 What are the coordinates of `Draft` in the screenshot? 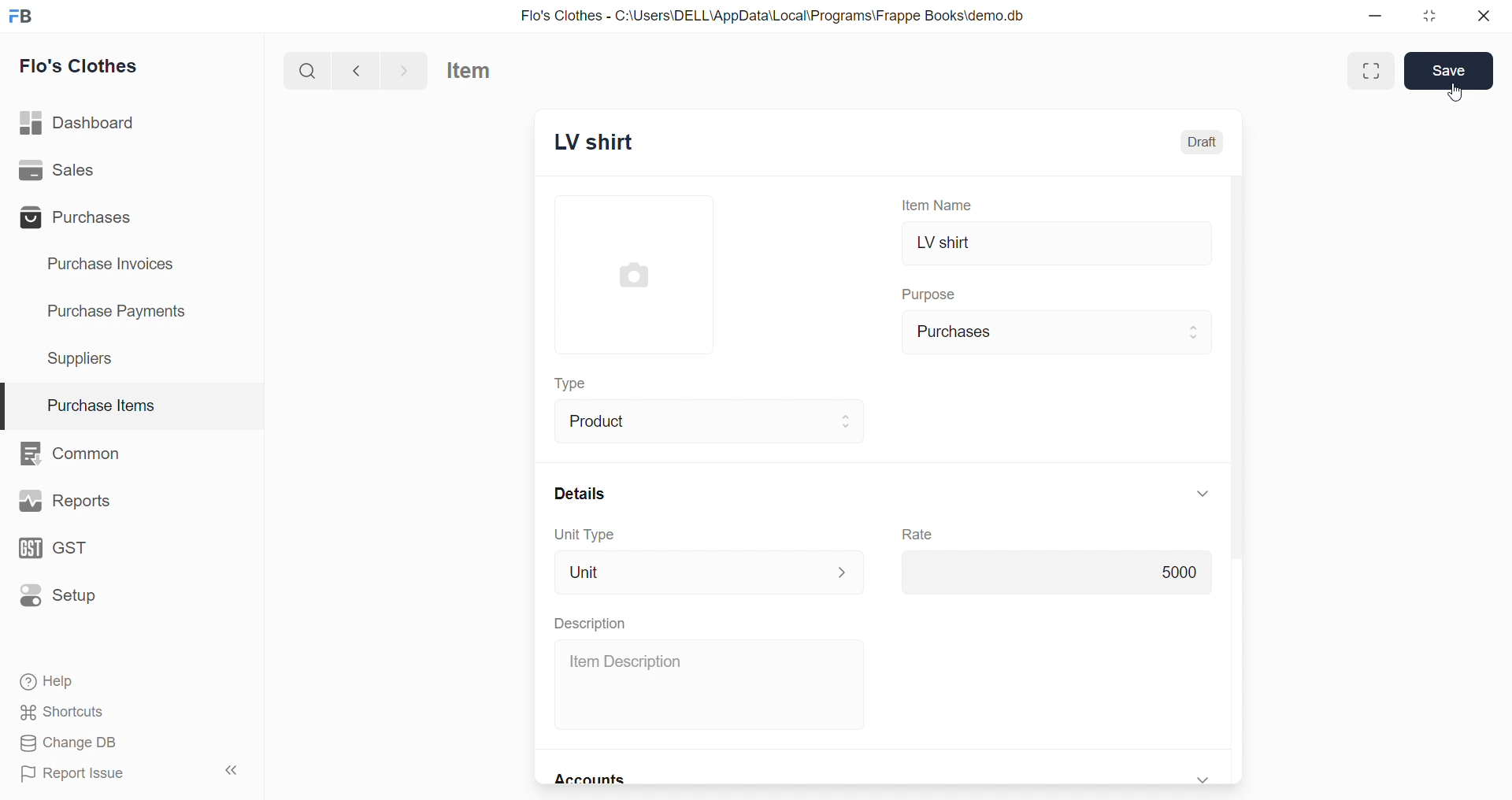 It's located at (1204, 142).